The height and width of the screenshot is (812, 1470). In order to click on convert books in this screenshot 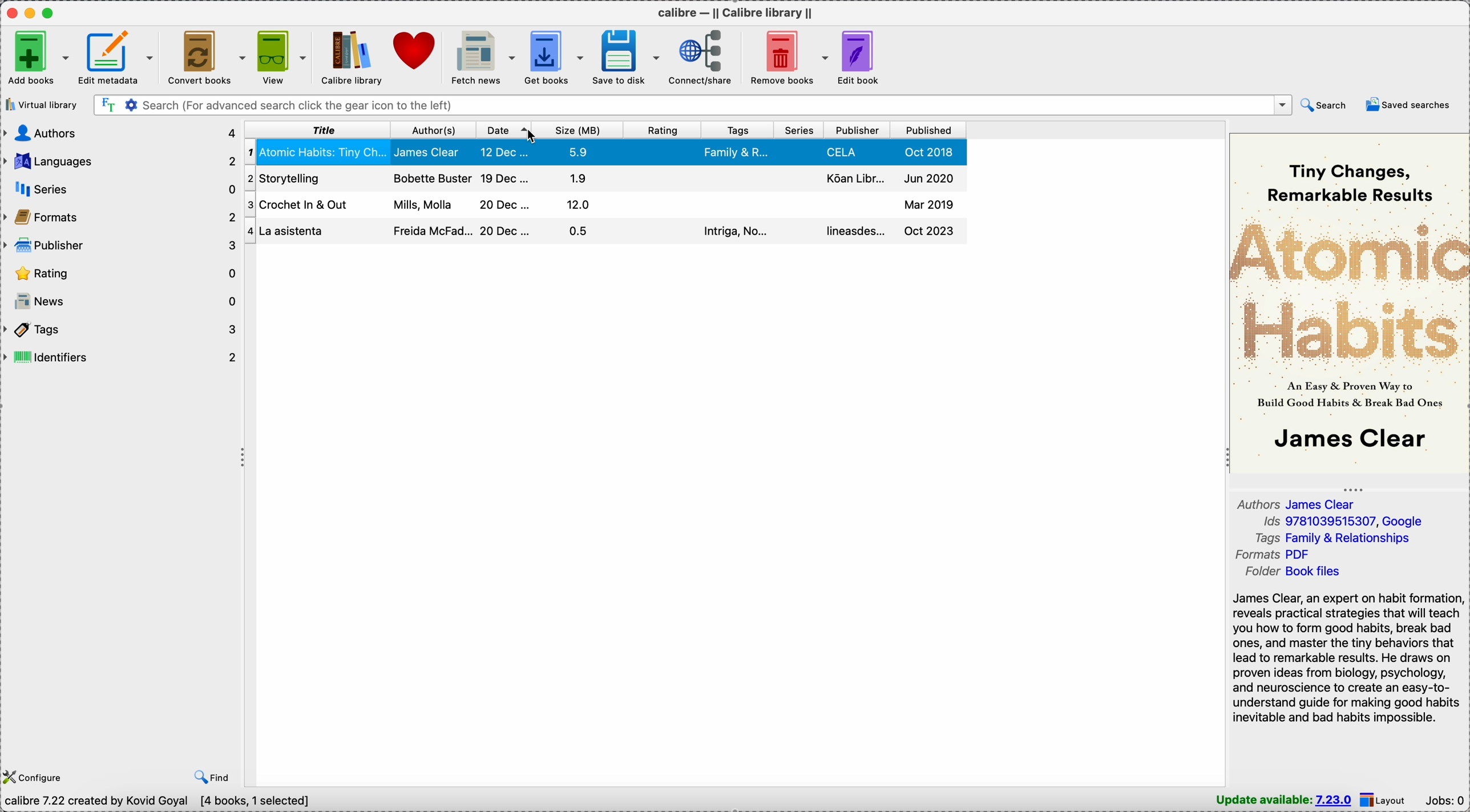, I will do `click(208, 56)`.